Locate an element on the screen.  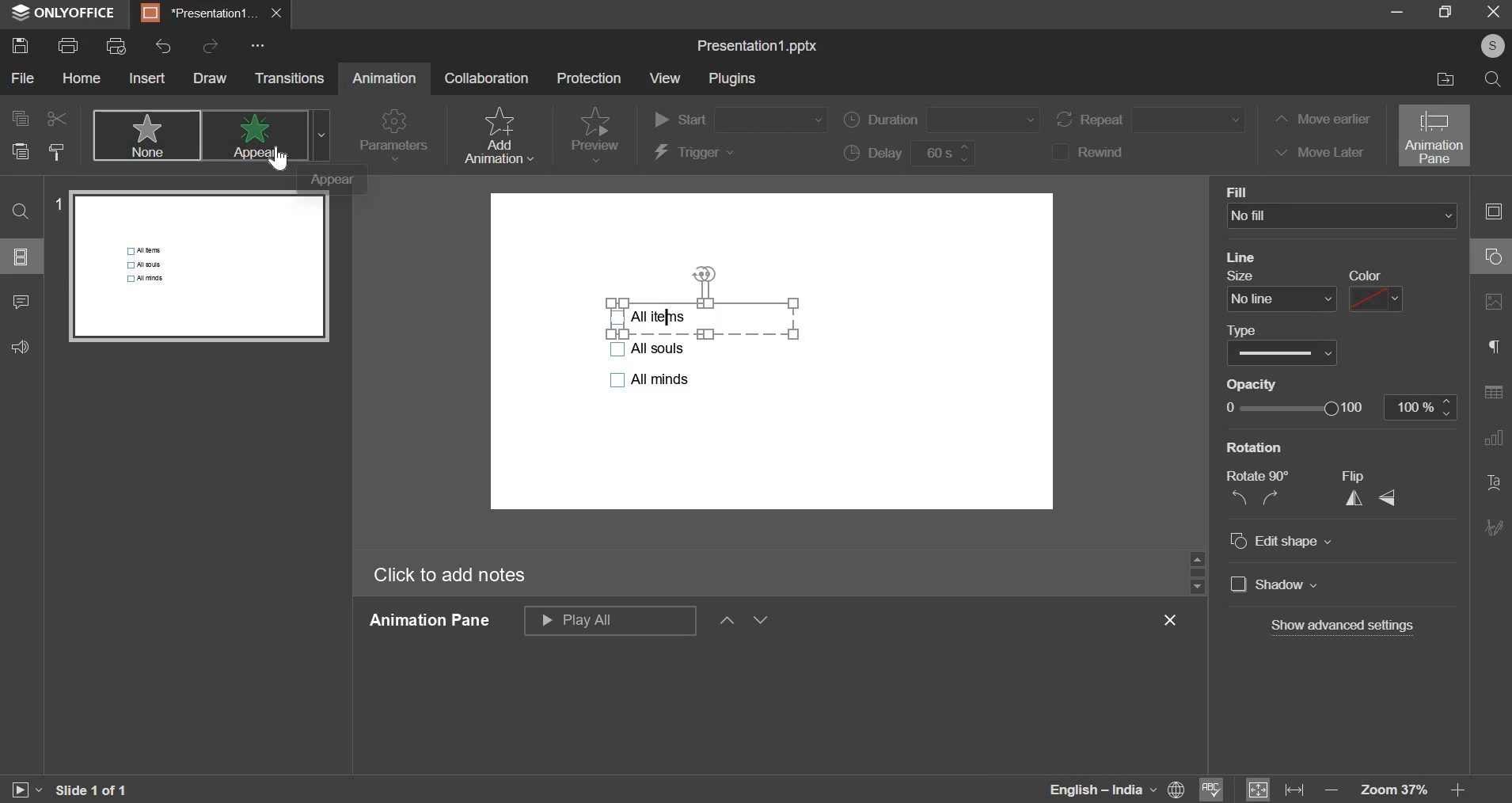
Border color is located at coordinates (1286, 352).